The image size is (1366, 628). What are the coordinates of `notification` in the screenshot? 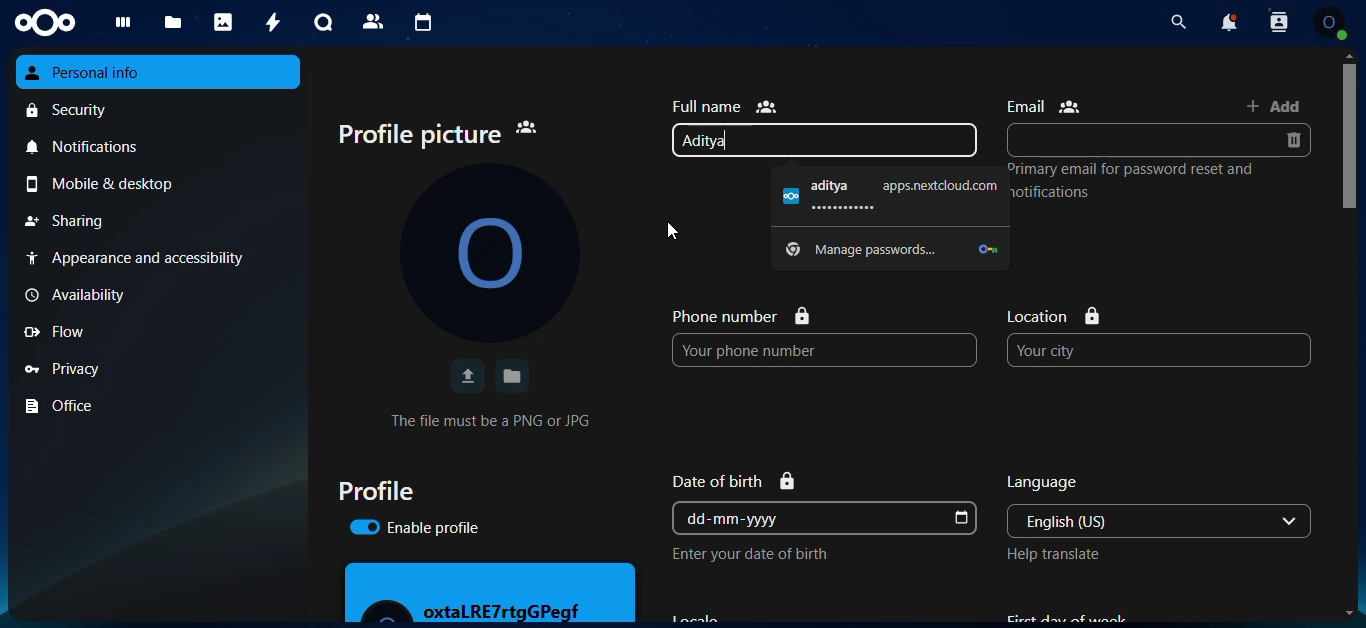 It's located at (1230, 21).